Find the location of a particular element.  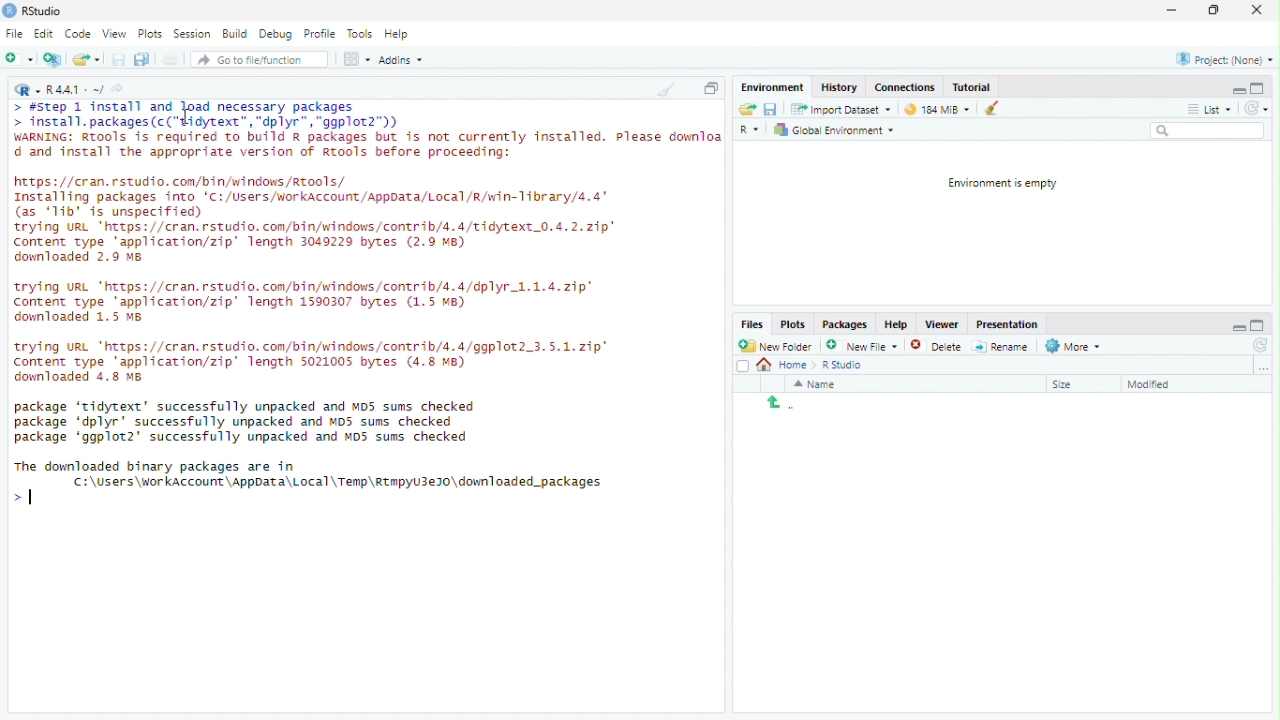

Cursor is located at coordinates (188, 117).